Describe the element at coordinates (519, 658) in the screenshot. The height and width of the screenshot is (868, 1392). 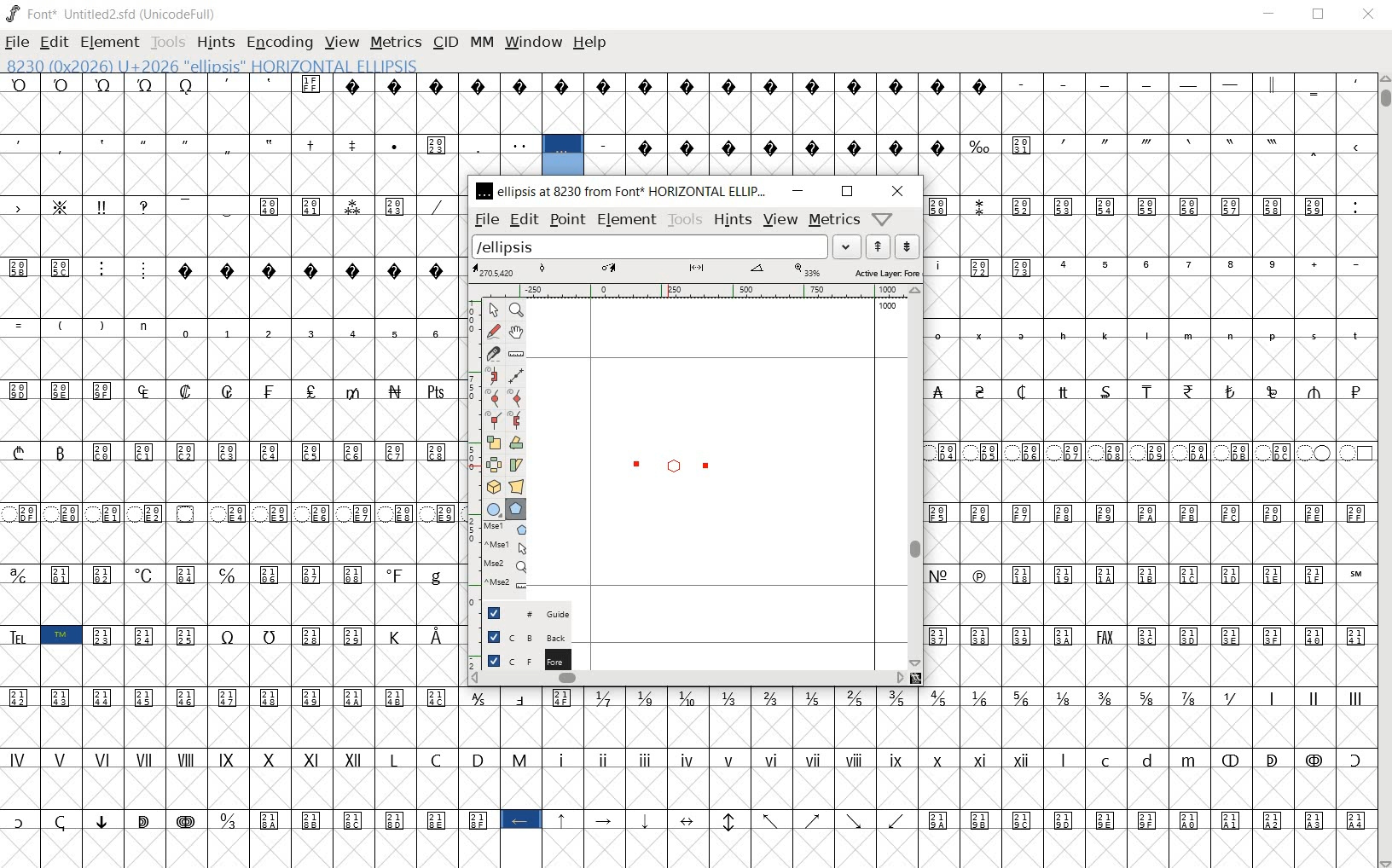
I see `foreground` at that location.